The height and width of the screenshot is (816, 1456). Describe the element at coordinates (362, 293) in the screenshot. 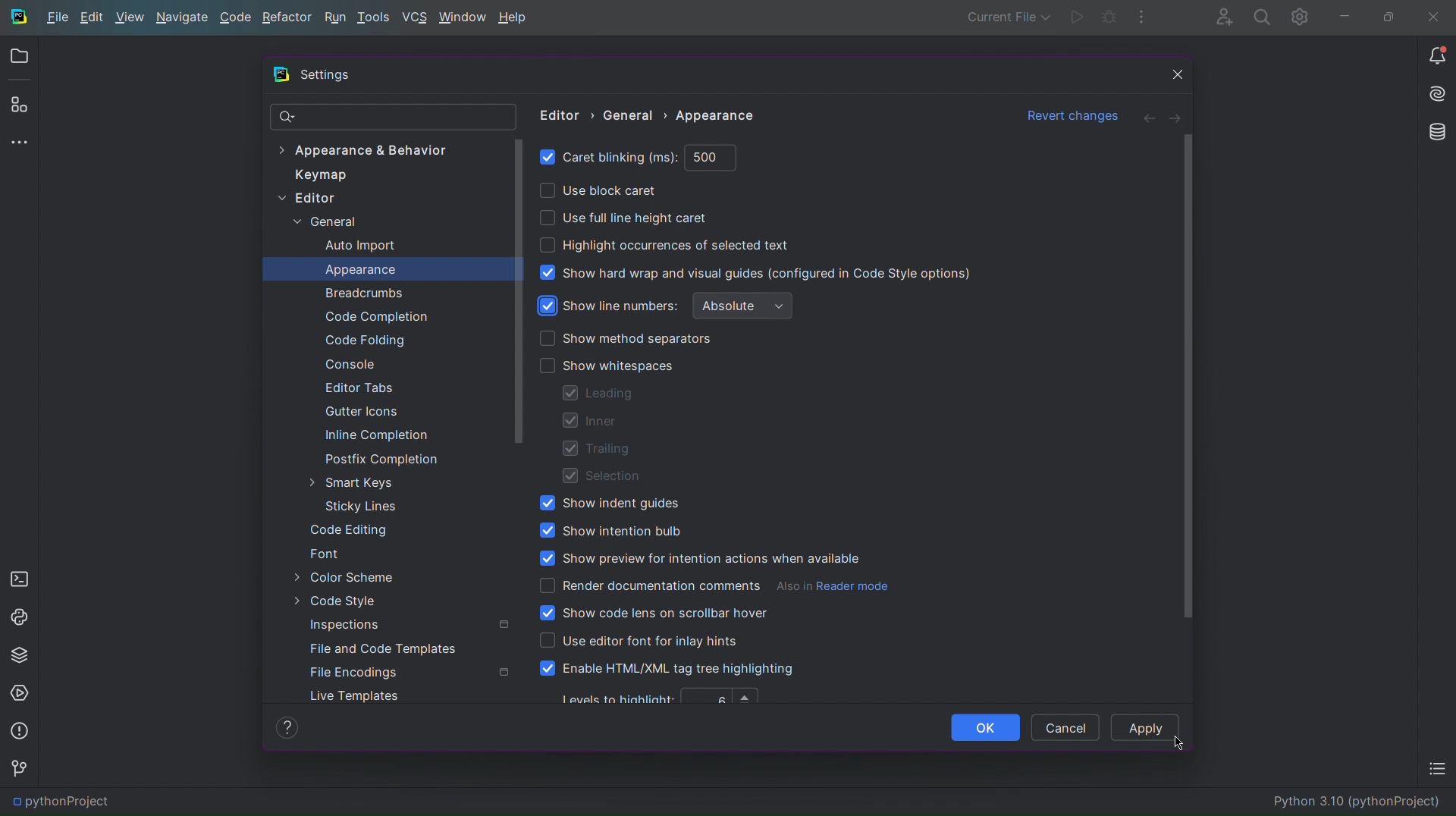

I see `Breadcrumbs` at that location.